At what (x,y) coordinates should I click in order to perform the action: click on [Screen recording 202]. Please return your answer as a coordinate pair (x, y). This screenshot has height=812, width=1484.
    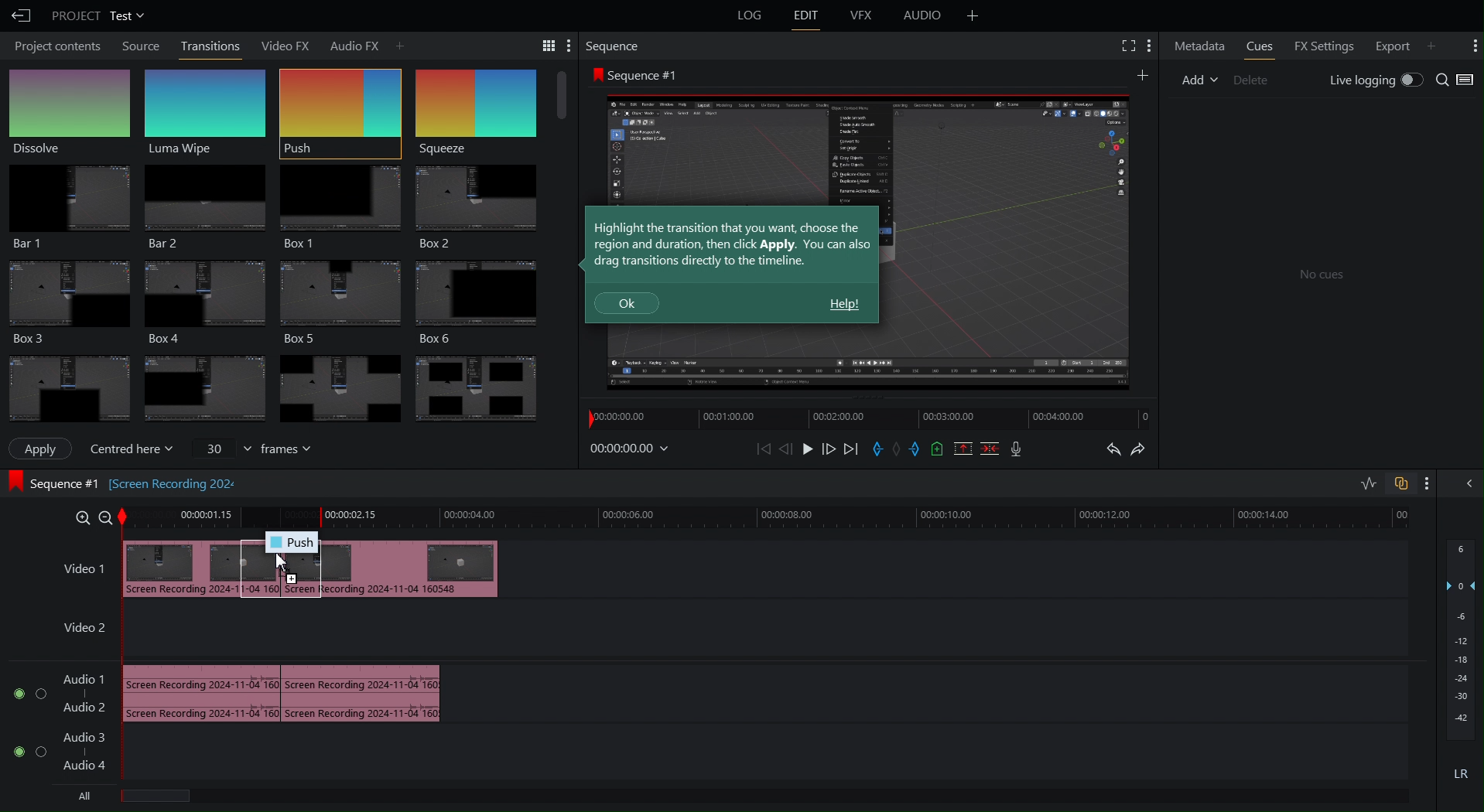
    Looking at the image, I should click on (176, 481).